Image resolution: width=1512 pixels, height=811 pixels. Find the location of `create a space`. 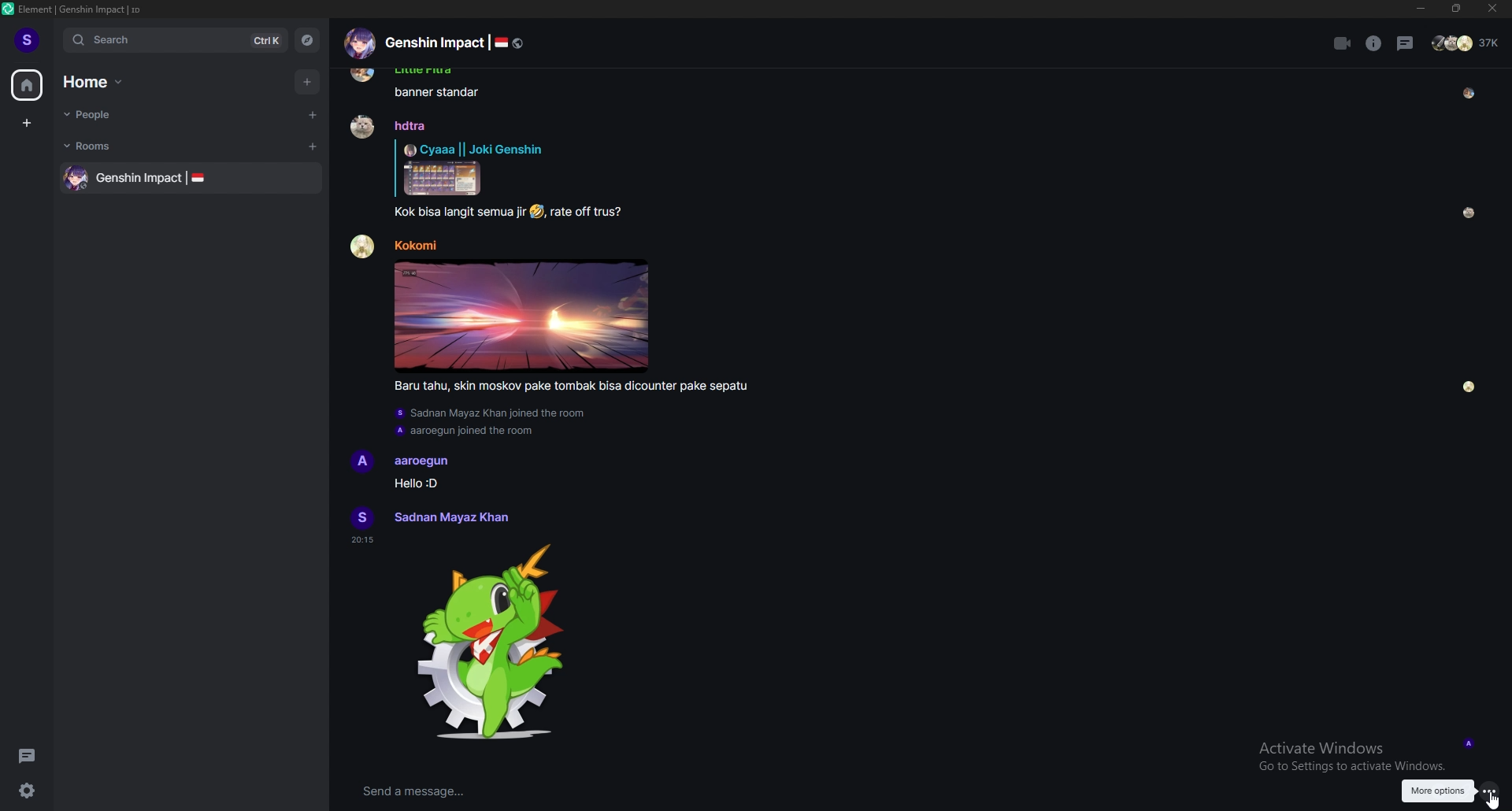

create a space is located at coordinates (28, 123).